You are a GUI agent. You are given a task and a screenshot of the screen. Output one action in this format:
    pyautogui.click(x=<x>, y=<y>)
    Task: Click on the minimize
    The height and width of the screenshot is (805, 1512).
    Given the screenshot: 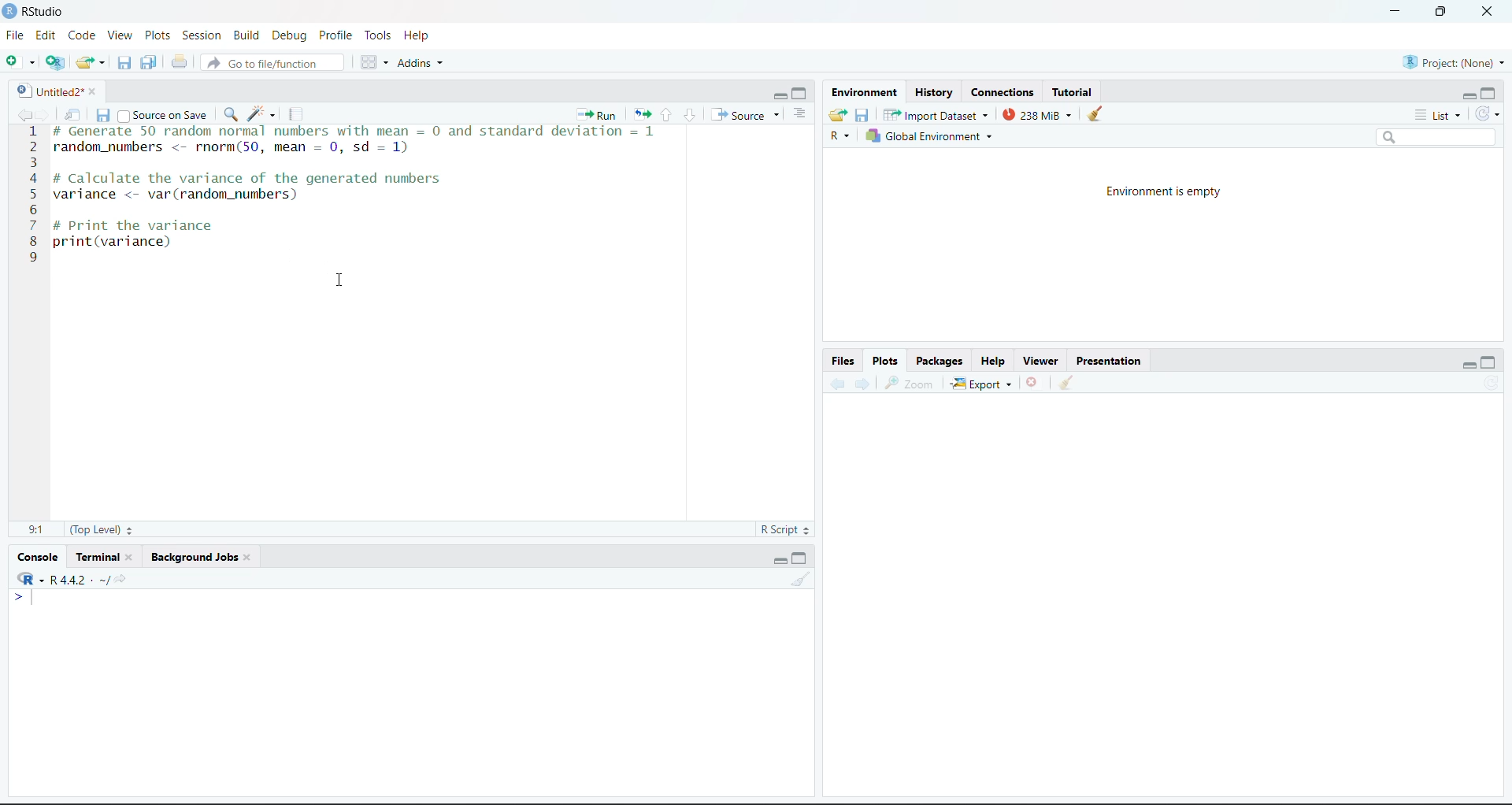 What is the action you would take?
    pyautogui.click(x=778, y=95)
    